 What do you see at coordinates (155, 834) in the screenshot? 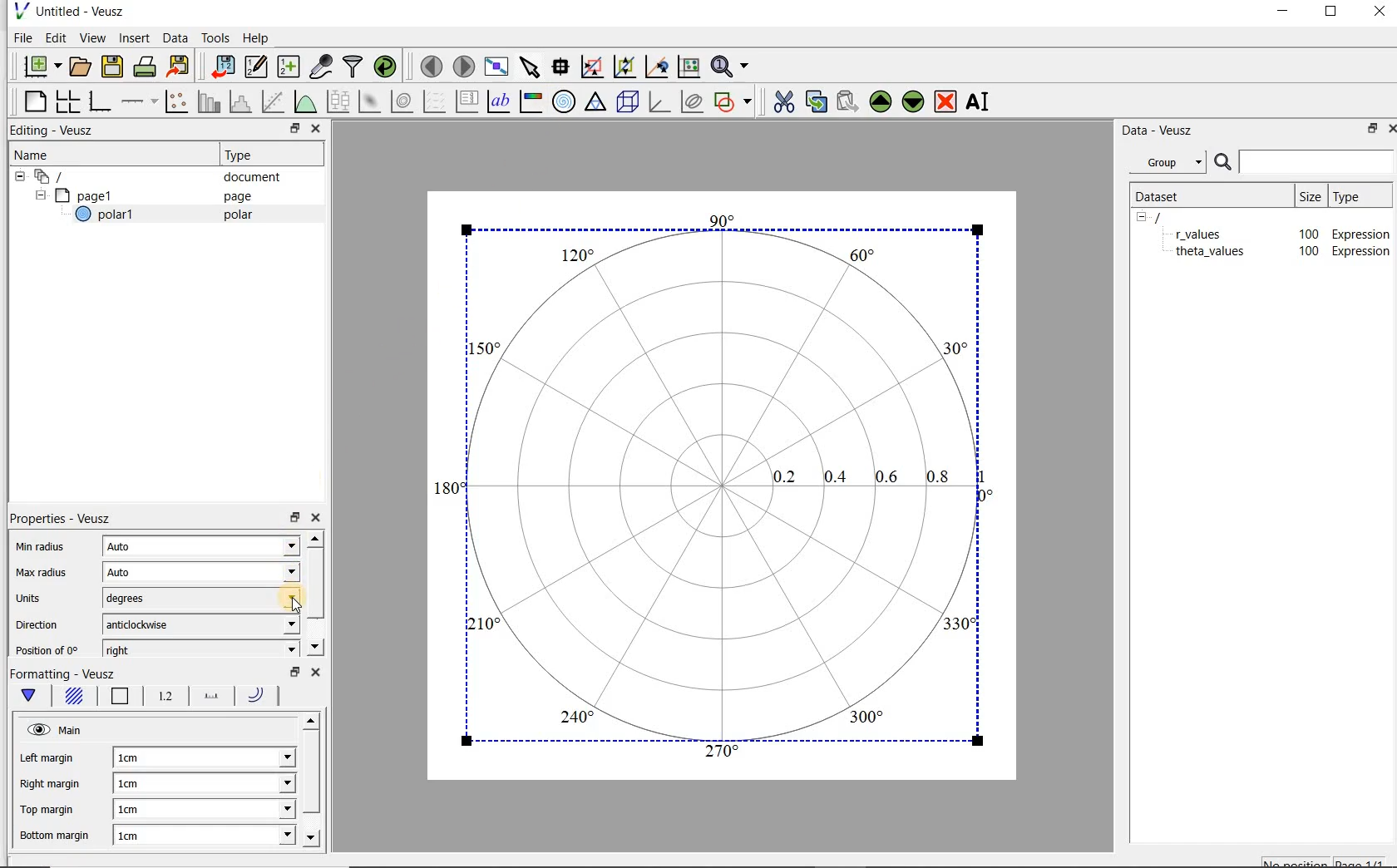
I see `1cm` at bounding box center [155, 834].